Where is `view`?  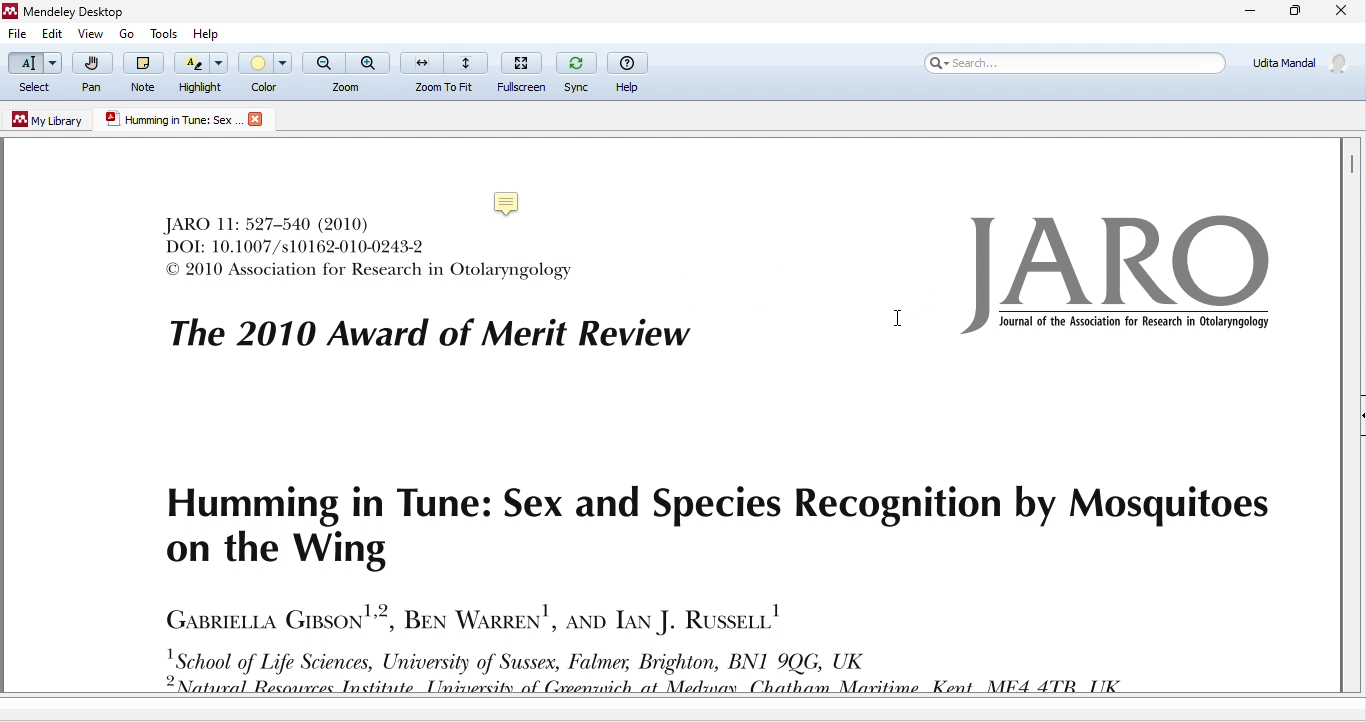
view is located at coordinates (91, 34).